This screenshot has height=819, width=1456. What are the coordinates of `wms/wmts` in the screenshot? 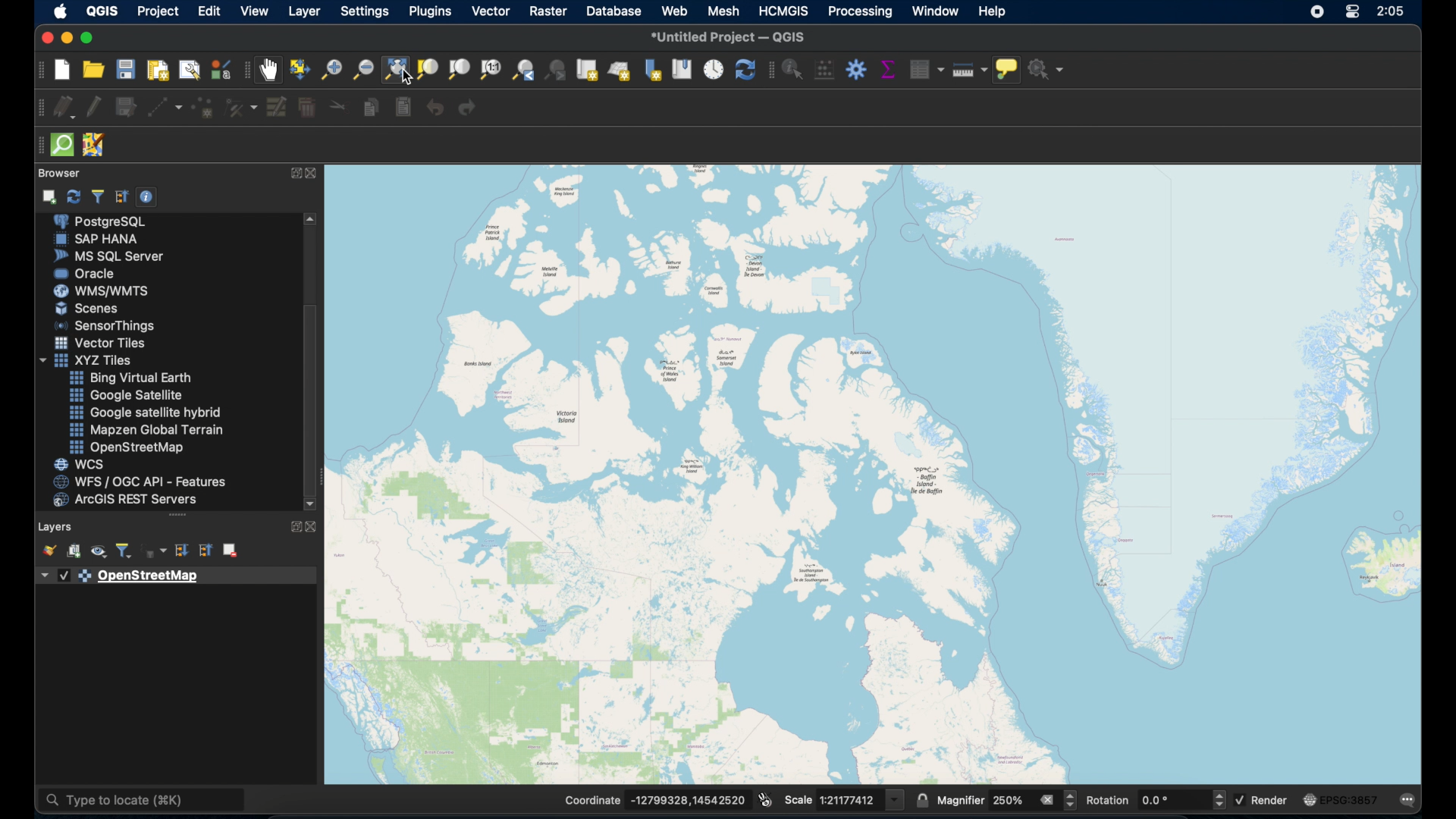 It's located at (104, 292).